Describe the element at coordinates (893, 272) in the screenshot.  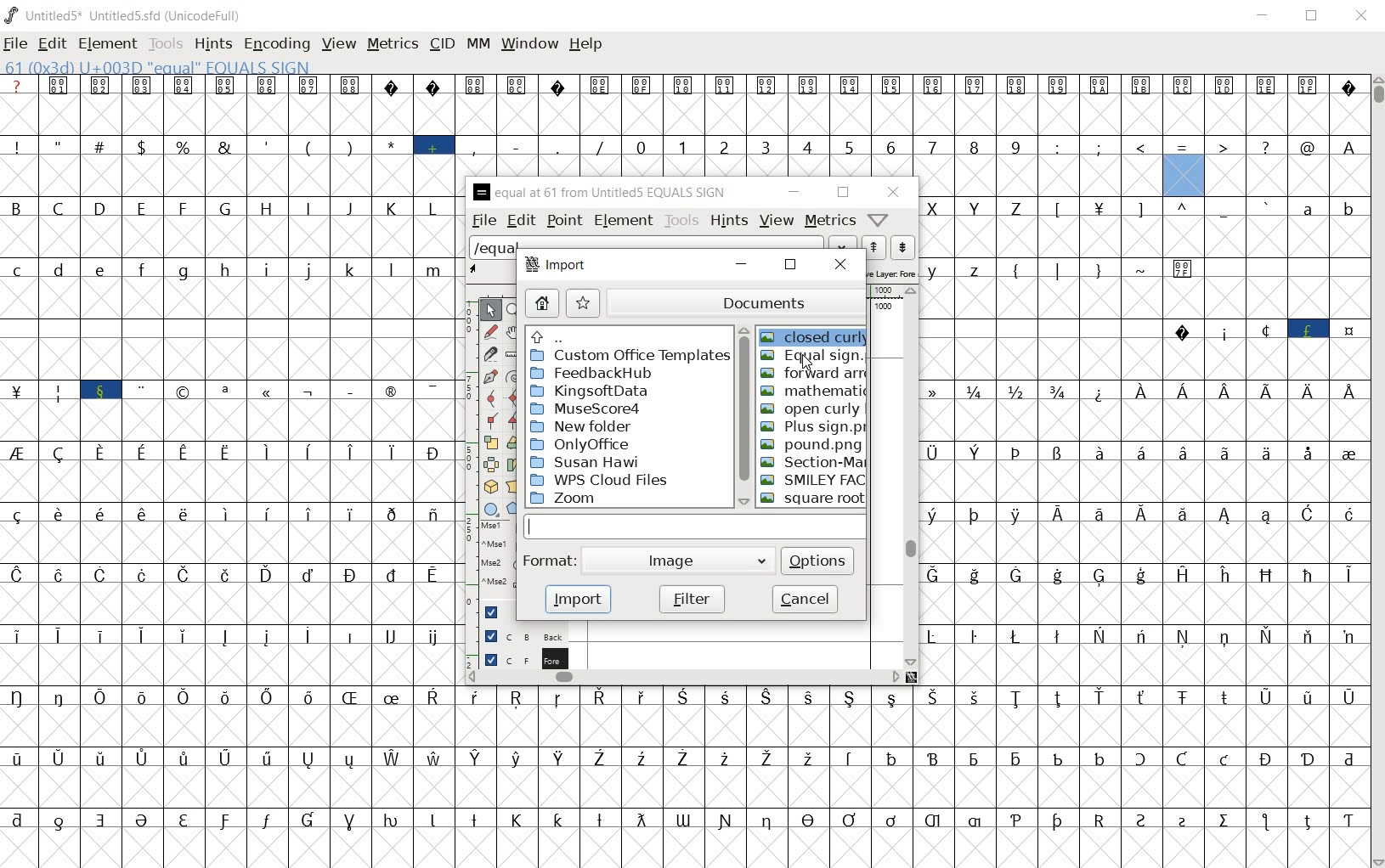
I see `active layer` at that location.